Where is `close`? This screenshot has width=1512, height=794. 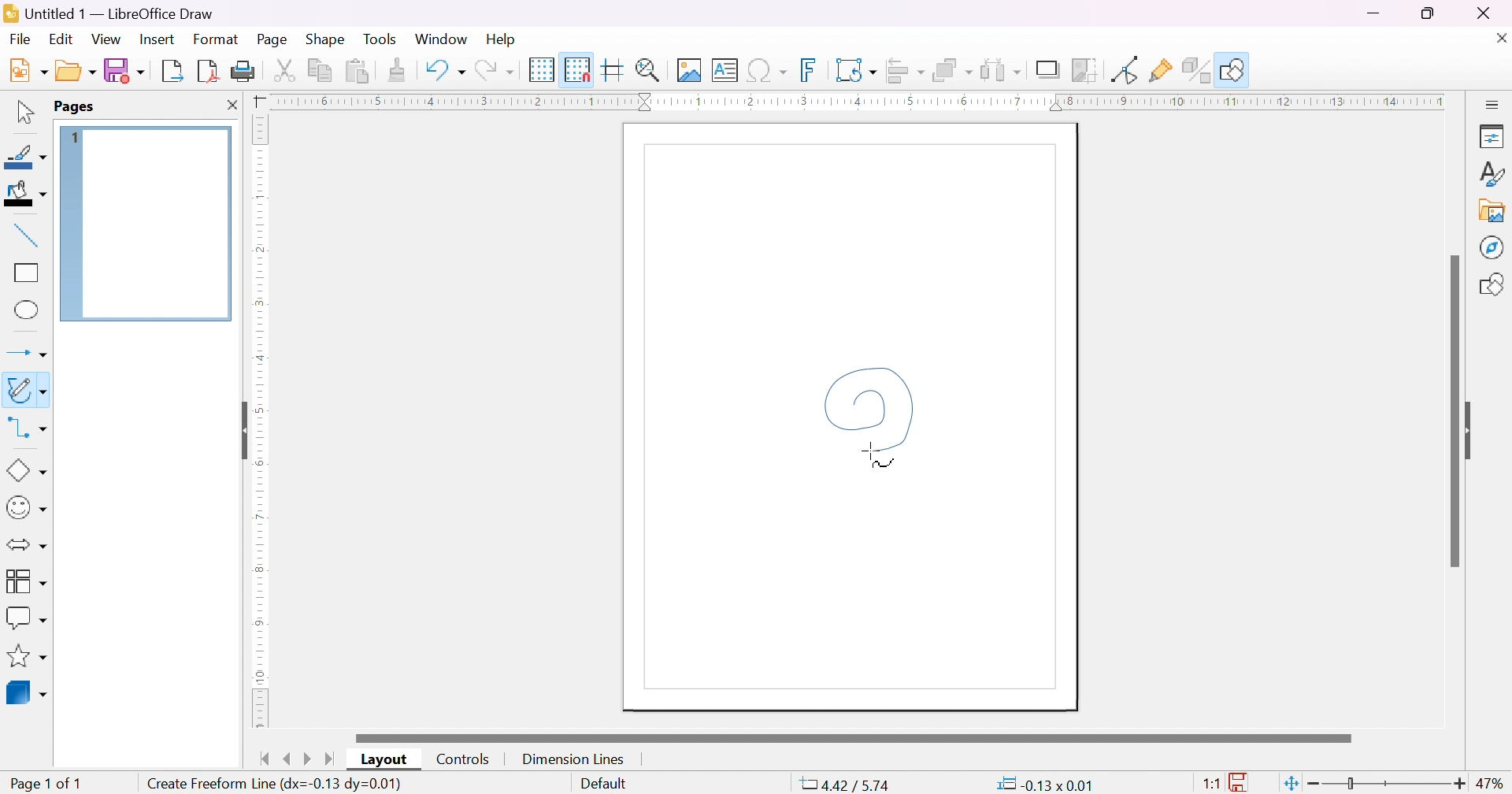
close is located at coordinates (1482, 11).